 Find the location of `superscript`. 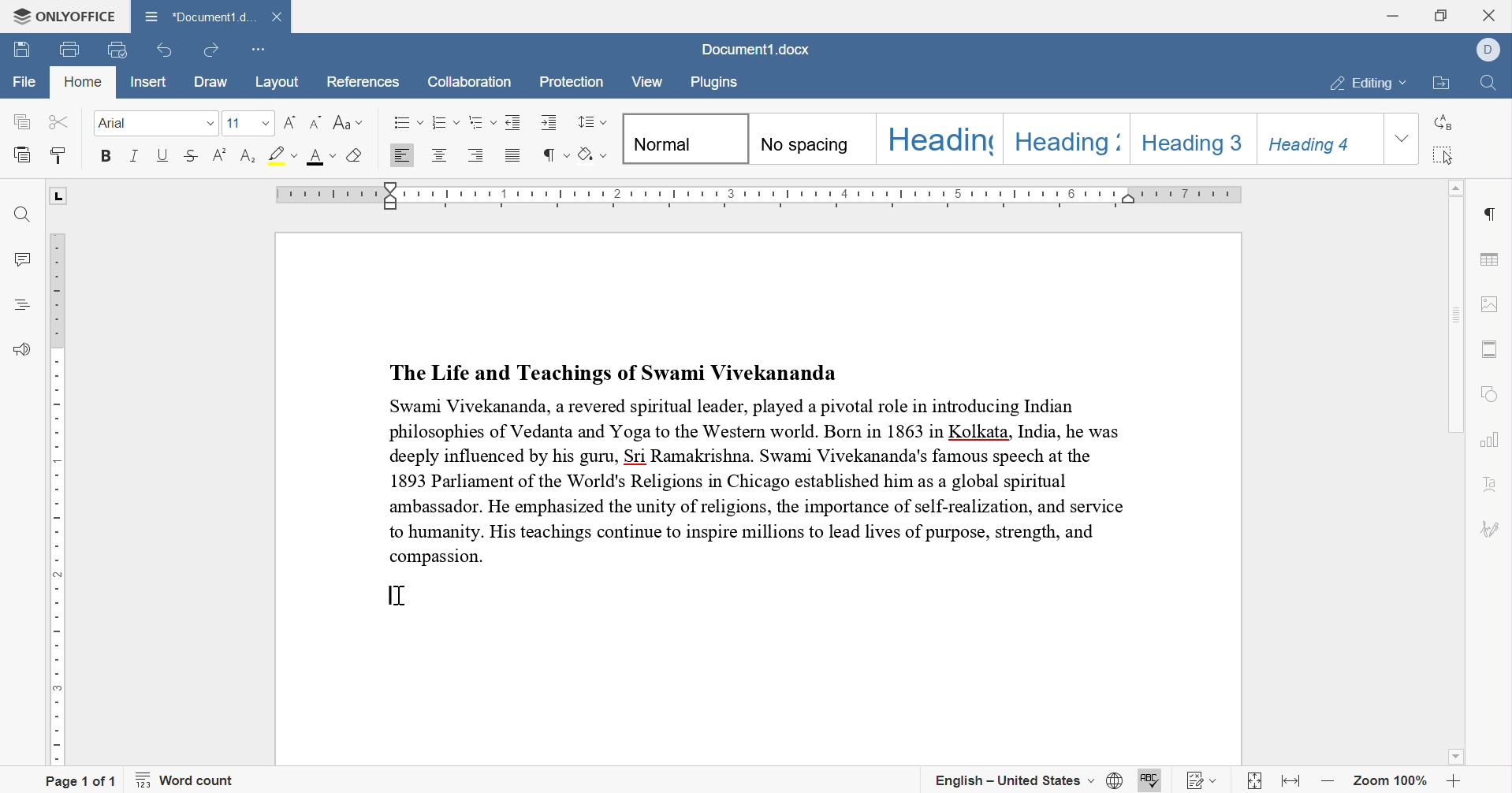

superscript is located at coordinates (220, 155).